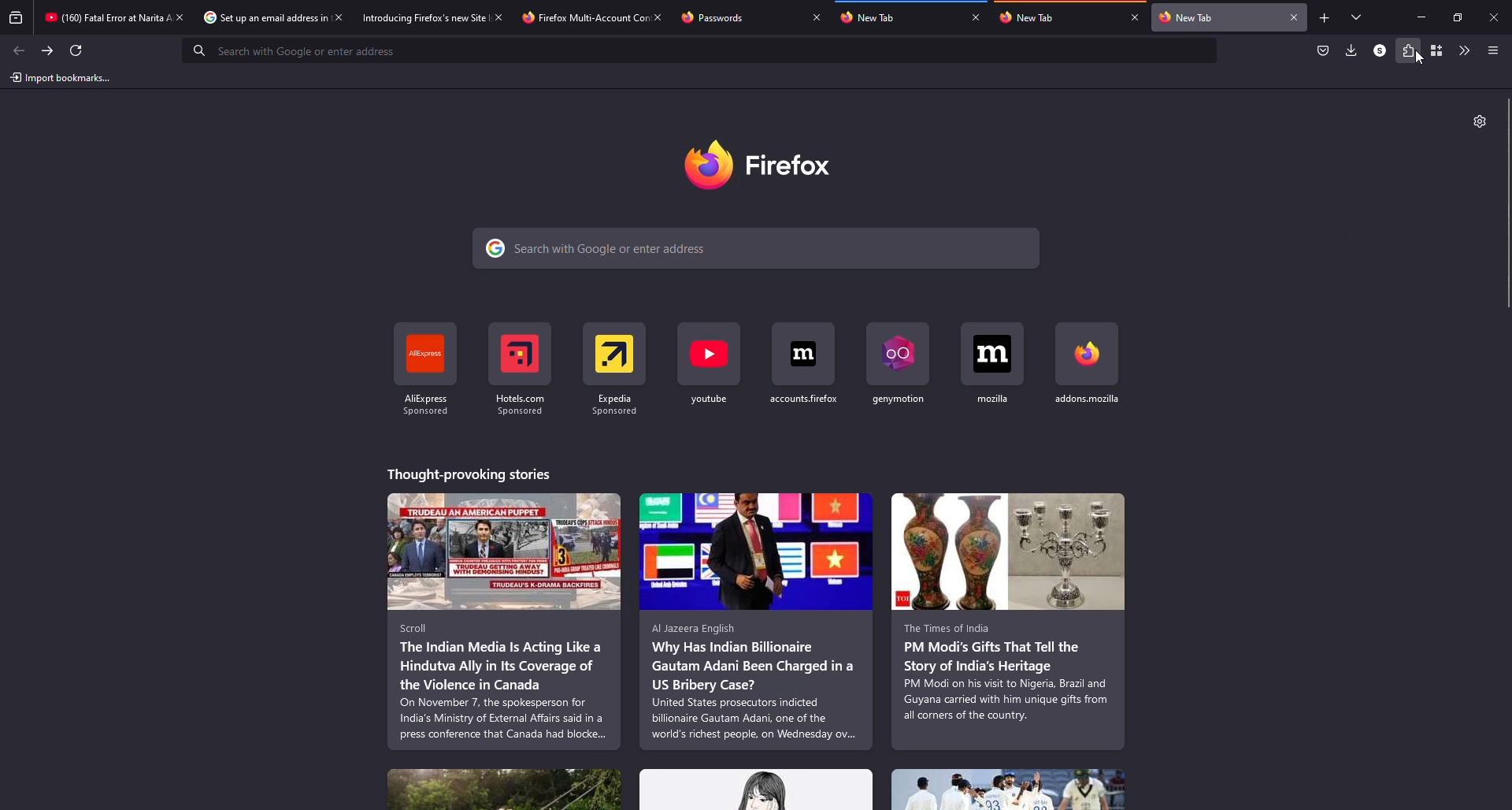 This screenshot has height=810, width=1512. Describe the element at coordinates (17, 17) in the screenshot. I see `view recent` at that location.